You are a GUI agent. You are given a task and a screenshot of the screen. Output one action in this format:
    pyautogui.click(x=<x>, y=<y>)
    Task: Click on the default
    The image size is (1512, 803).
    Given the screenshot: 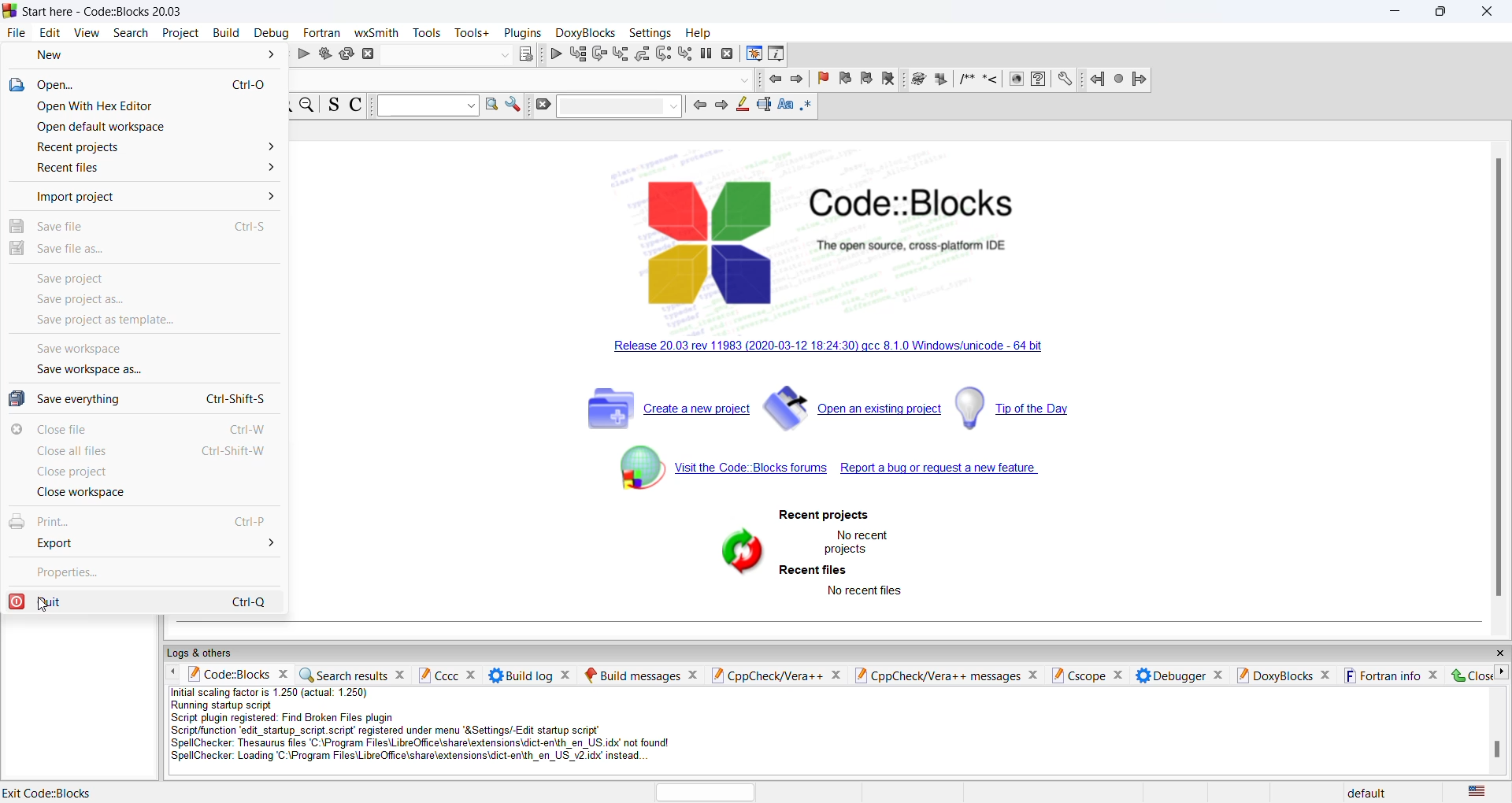 What is the action you would take?
    pyautogui.click(x=1365, y=794)
    